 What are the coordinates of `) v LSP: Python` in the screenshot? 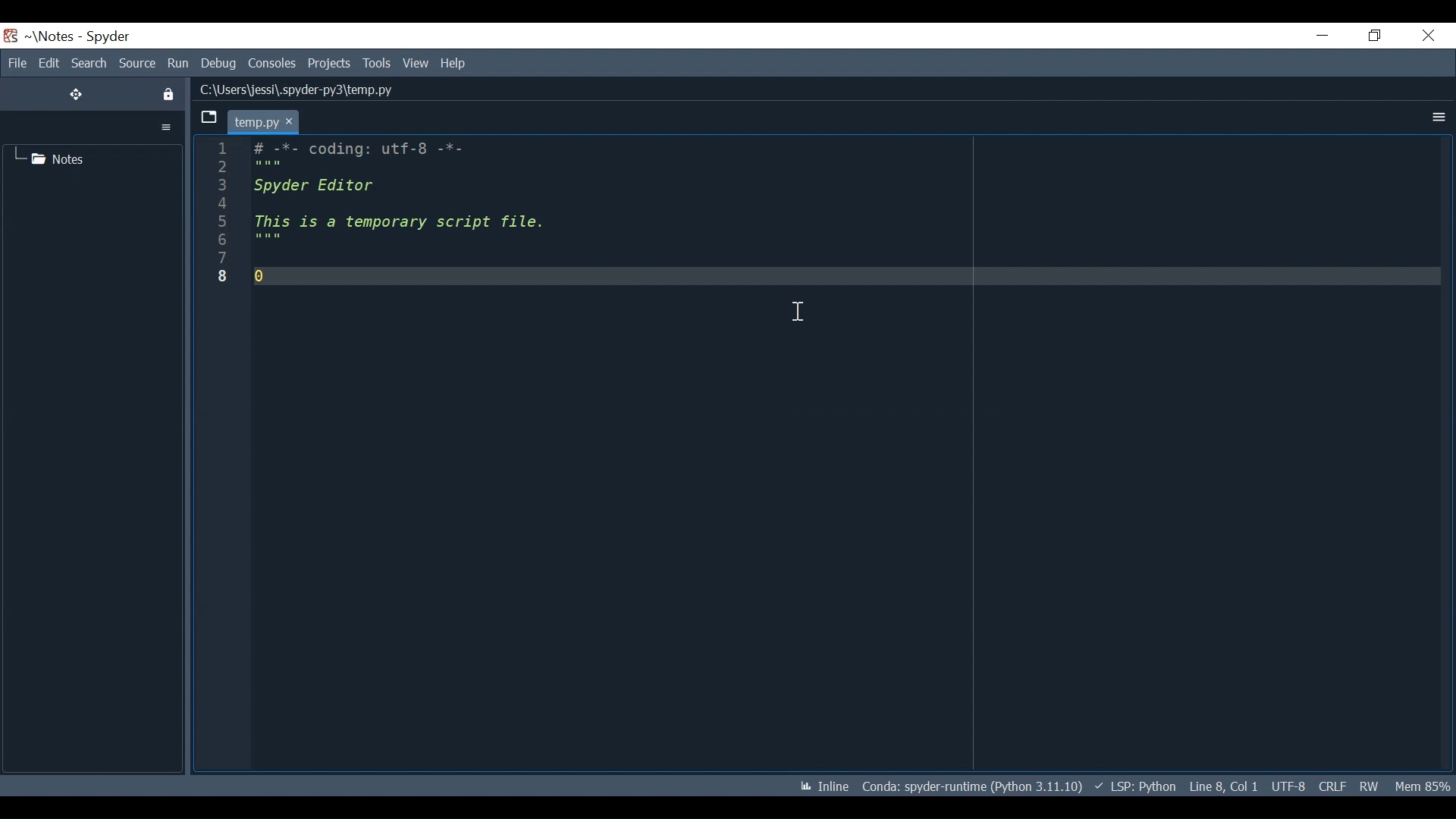 It's located at (1136, 786).